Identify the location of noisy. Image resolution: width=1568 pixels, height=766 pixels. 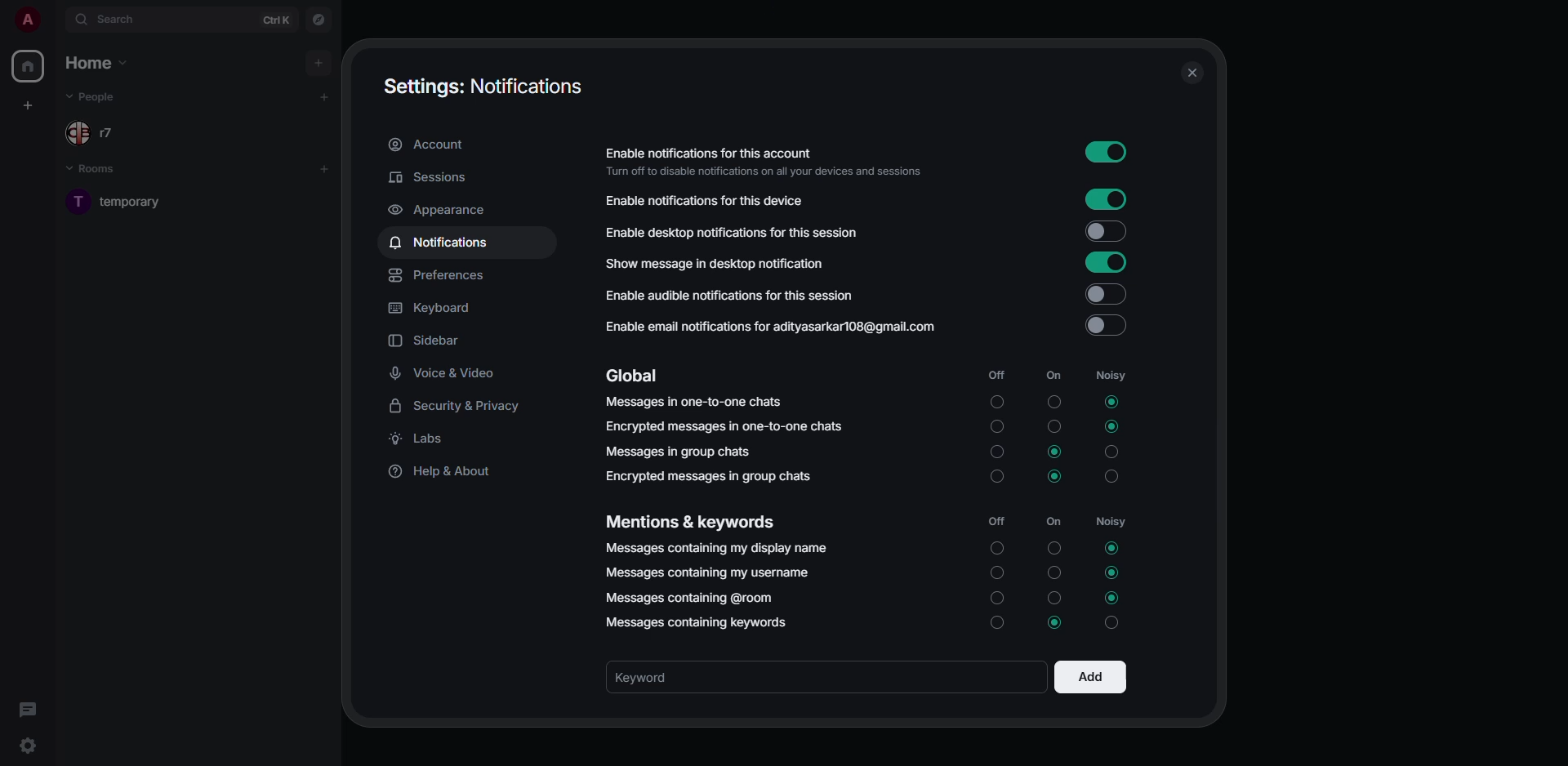
(1113, 520).